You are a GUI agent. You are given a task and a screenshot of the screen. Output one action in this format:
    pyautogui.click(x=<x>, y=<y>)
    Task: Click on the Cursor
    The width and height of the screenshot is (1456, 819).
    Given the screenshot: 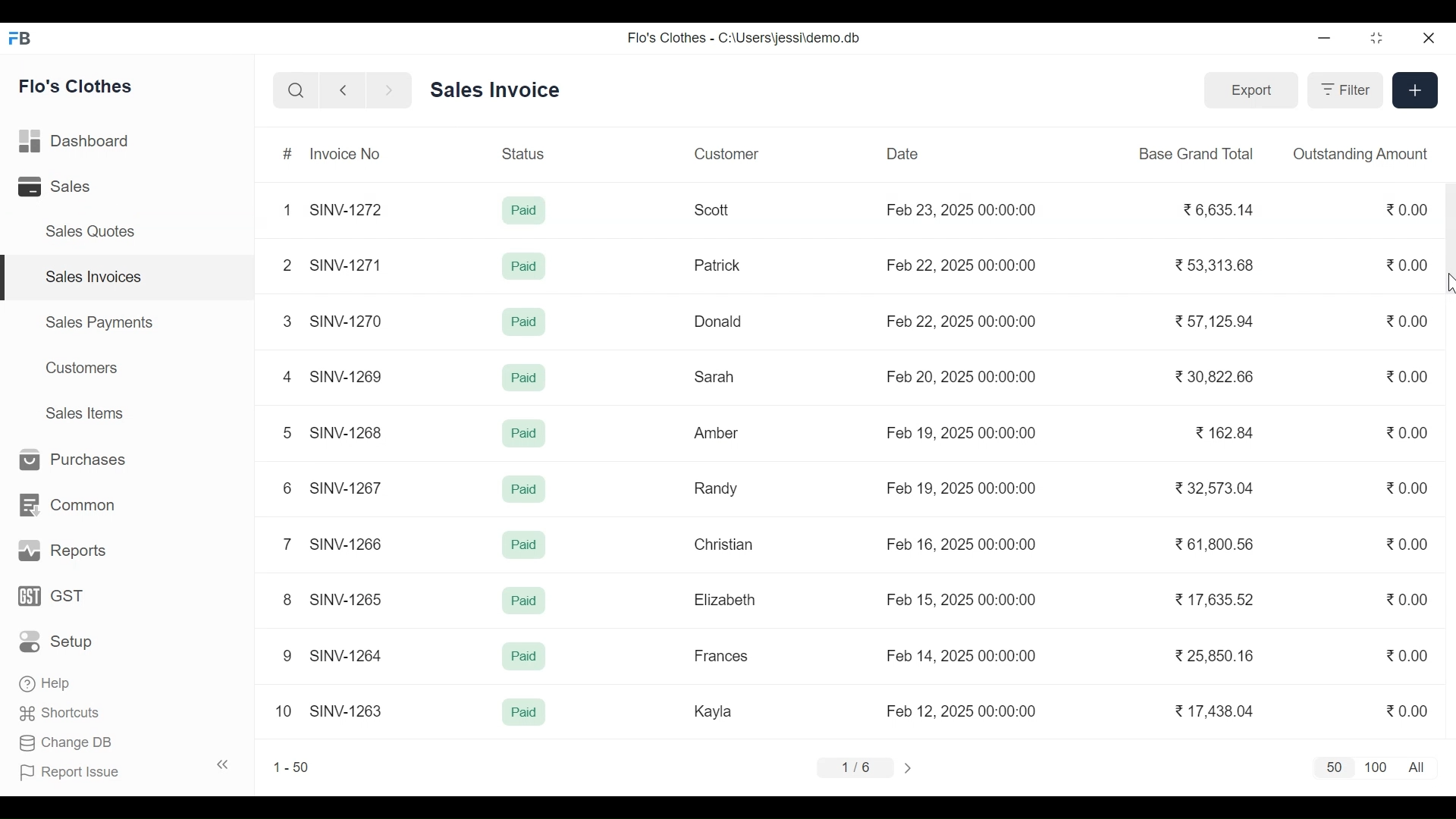 What is the action you would take?
    pyautogui.click(x=1447, y=283)
    